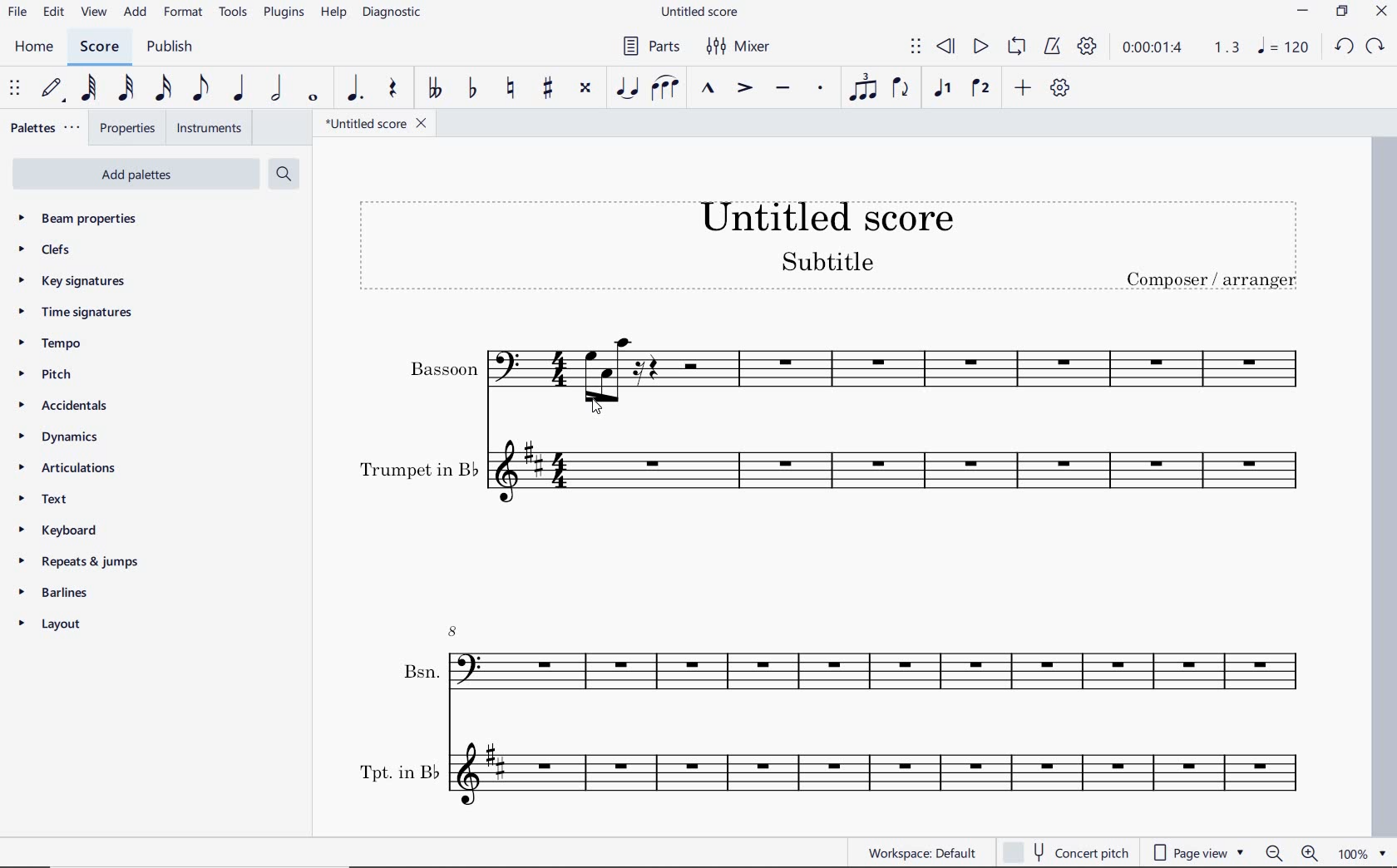 The width and height of the screenshot is (1397, 868). Describe the element at coordinates (286, 12) in the screenshot. I see `plugins` at that location.